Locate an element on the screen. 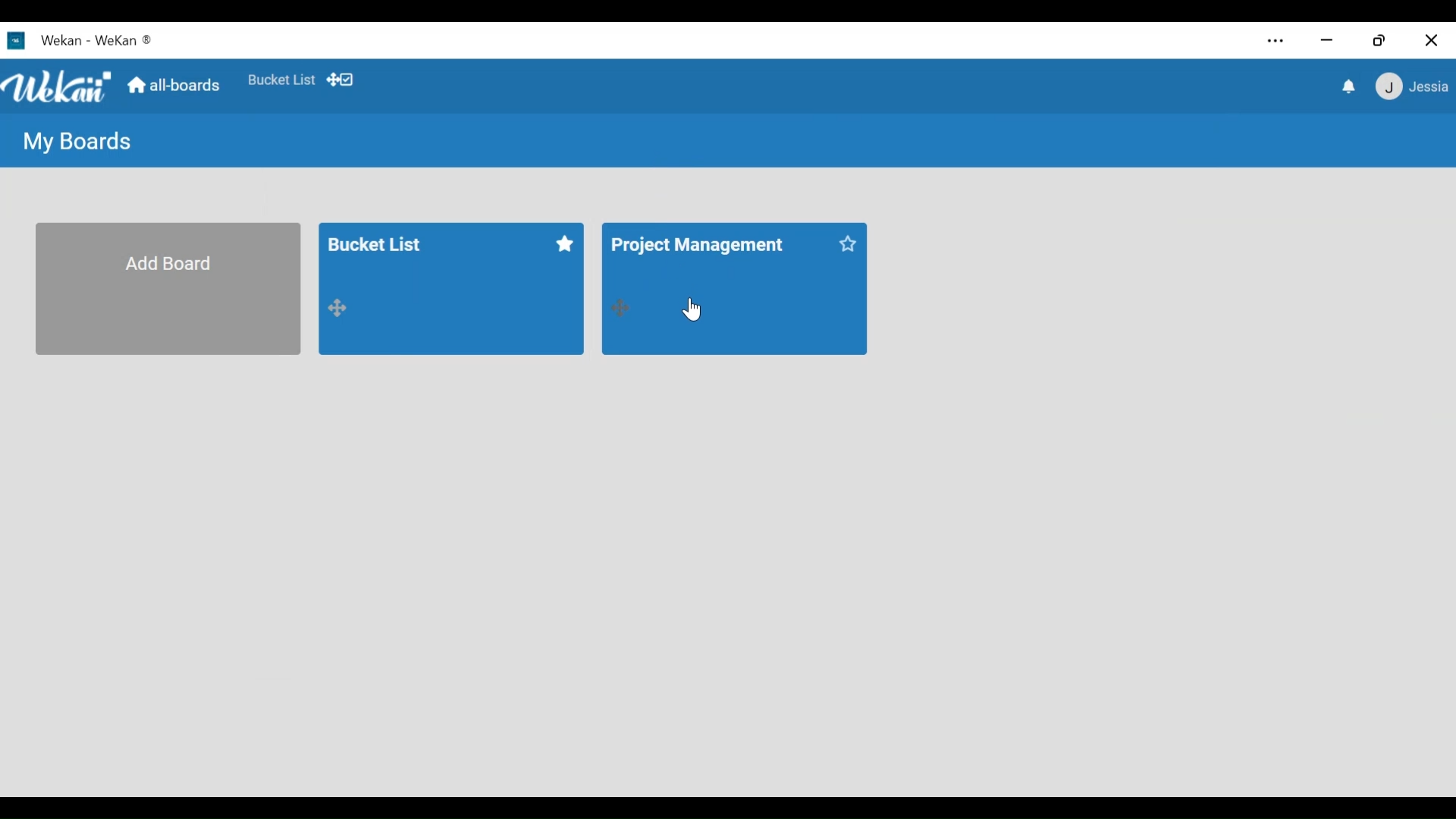 The image size is (1456, 819). Member menu is located at coordinates (1410, 88).